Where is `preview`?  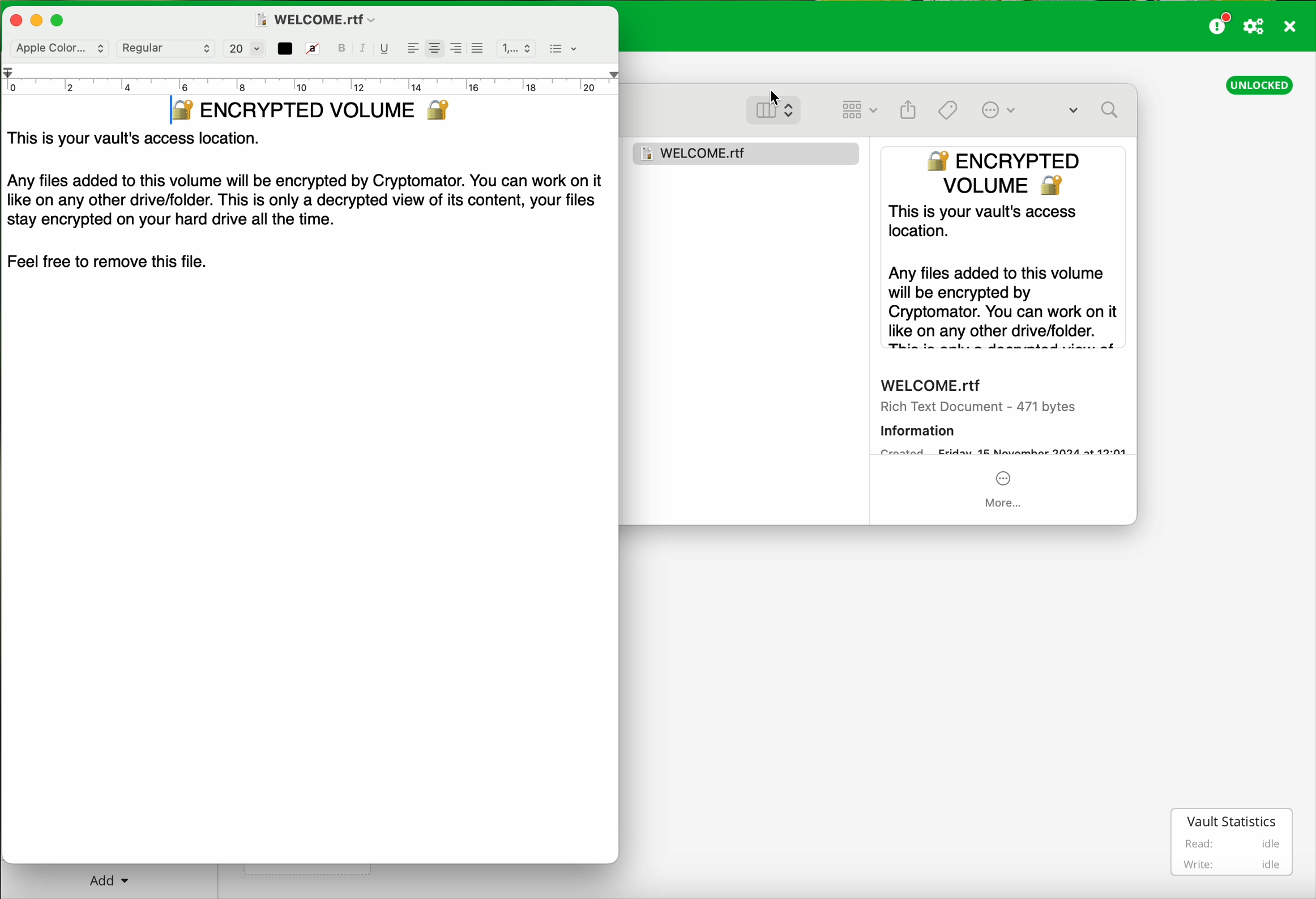
preview is located at coordinates (1006, 332).